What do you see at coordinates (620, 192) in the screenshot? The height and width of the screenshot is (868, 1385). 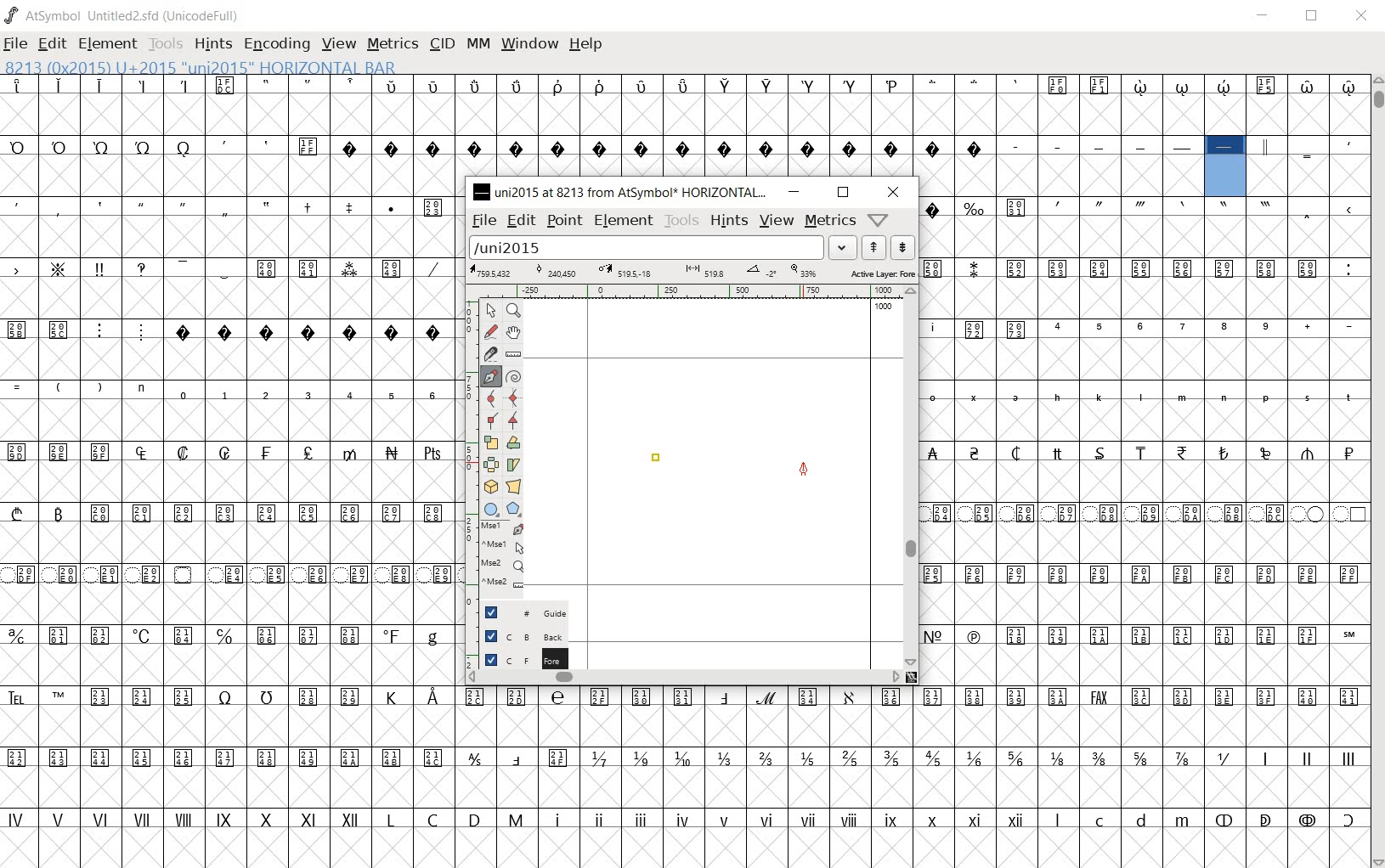 I see `uni2015 at 8213 from AtSymbol HORIZONTAL...` at bounding box center [620, 192].